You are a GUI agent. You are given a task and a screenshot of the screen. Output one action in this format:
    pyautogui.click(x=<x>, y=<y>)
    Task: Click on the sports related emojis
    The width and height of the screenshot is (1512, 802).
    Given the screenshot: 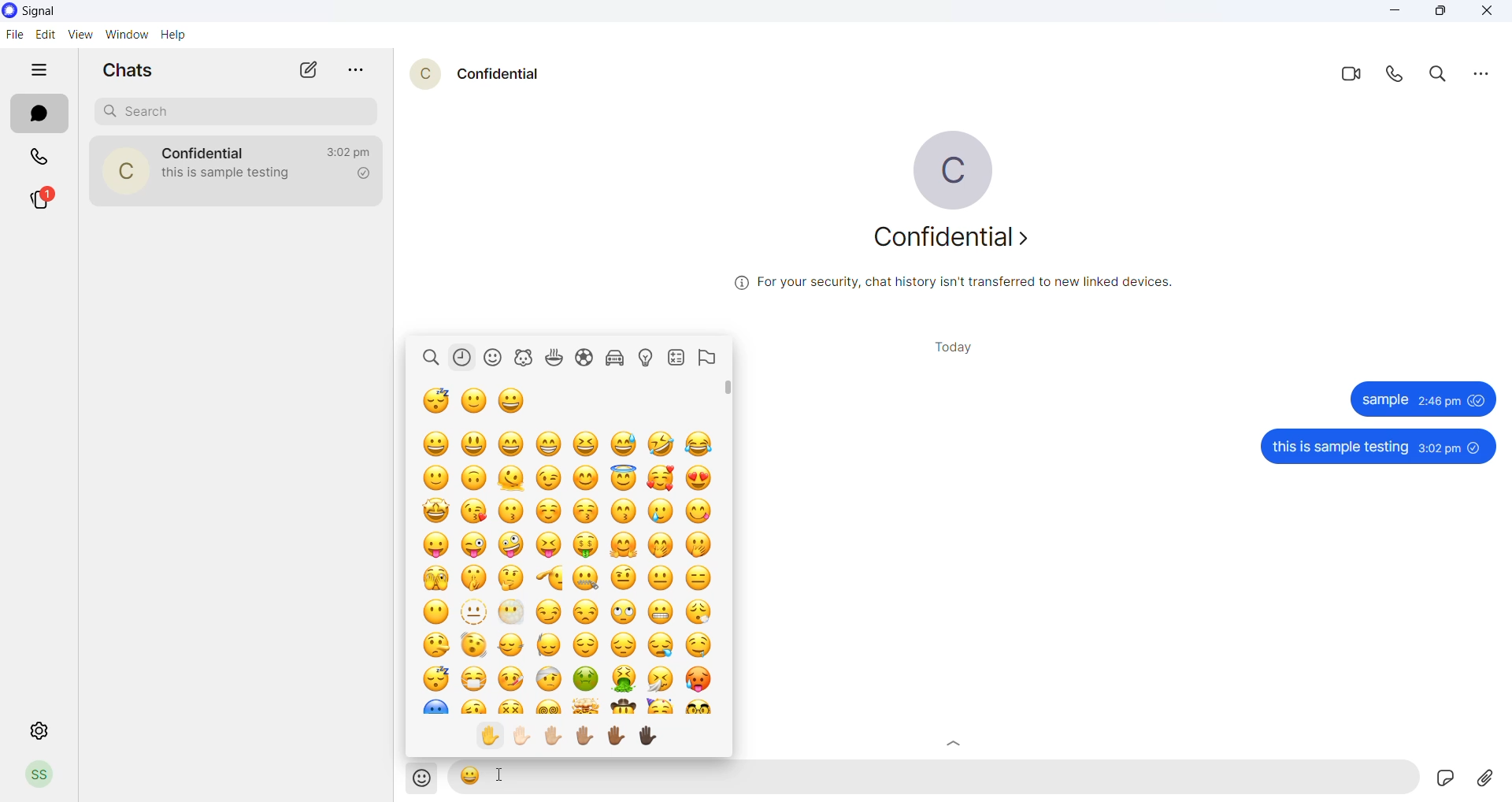 What is the action you would take?
    pyautogui.click(x=587, y=358)
    